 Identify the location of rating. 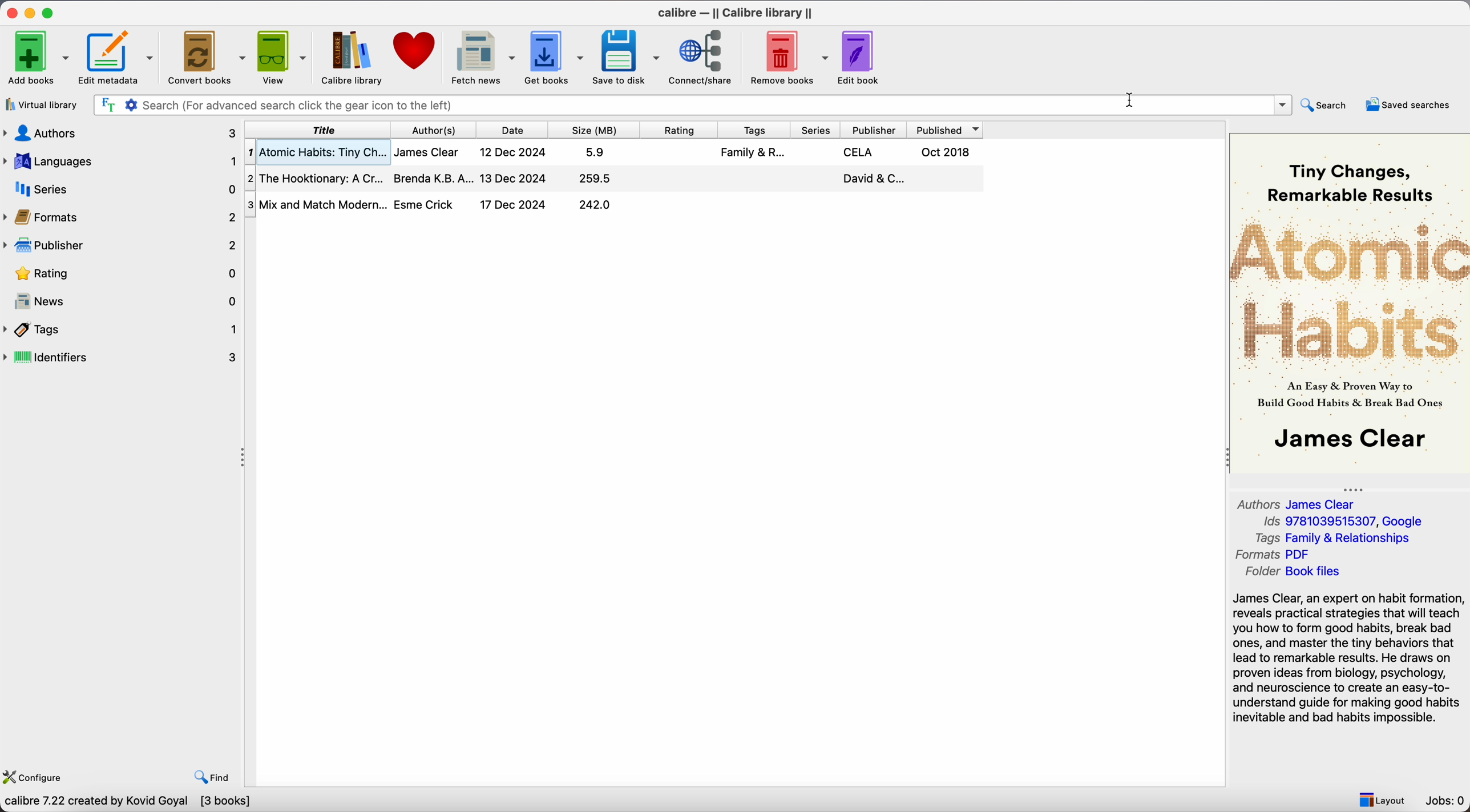
(680, 130).